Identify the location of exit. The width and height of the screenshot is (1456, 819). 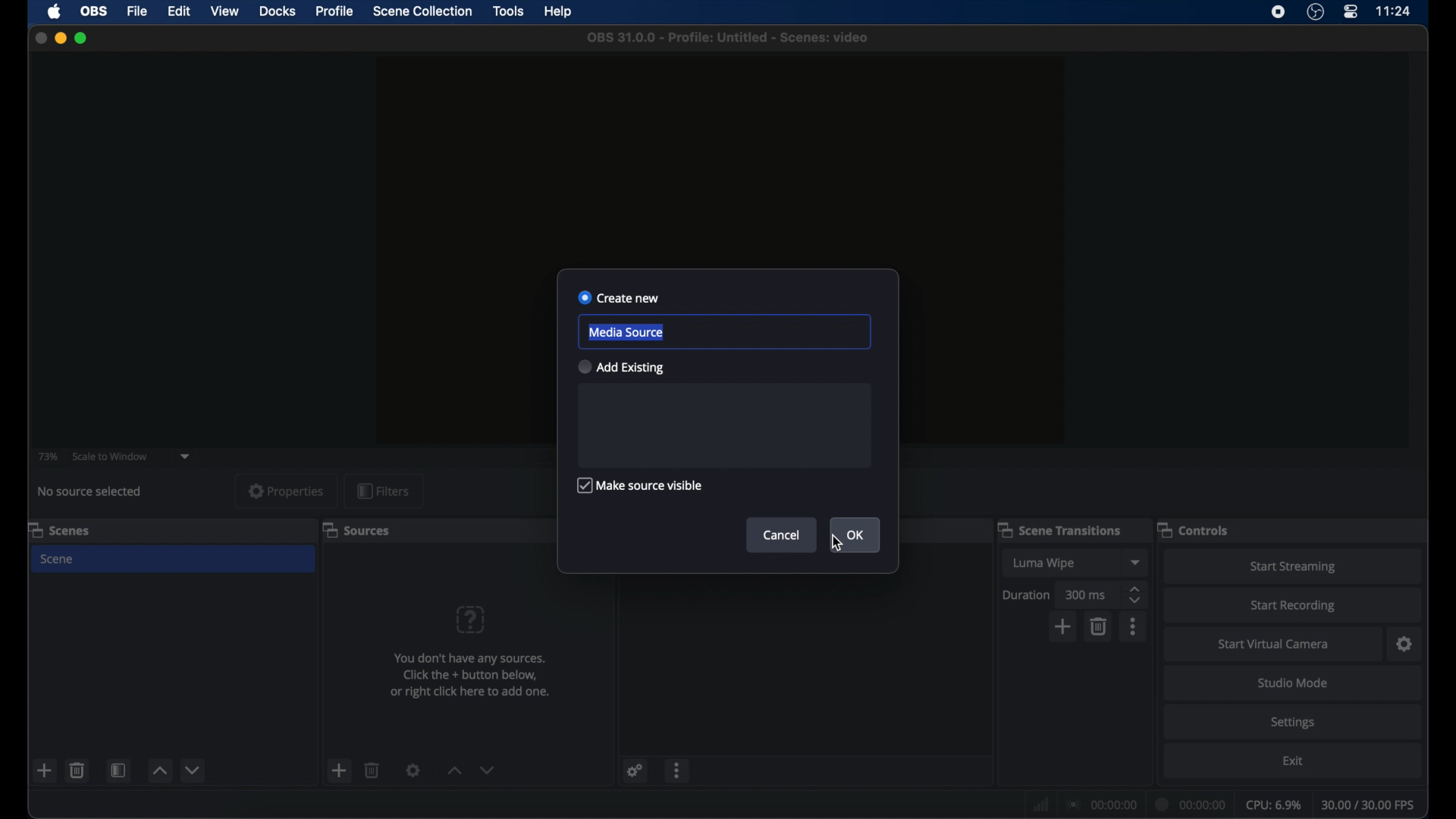
(1295, 761).